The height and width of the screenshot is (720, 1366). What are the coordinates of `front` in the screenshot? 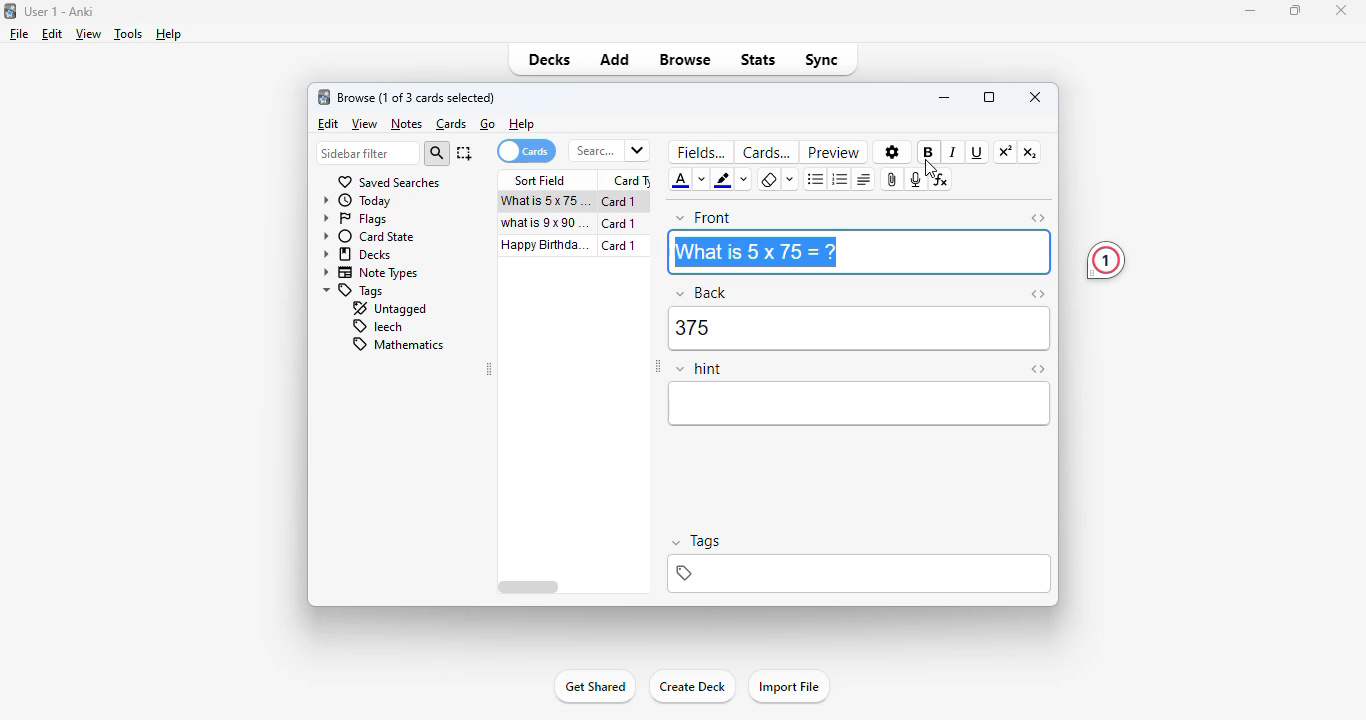 It's located at (703, 218).